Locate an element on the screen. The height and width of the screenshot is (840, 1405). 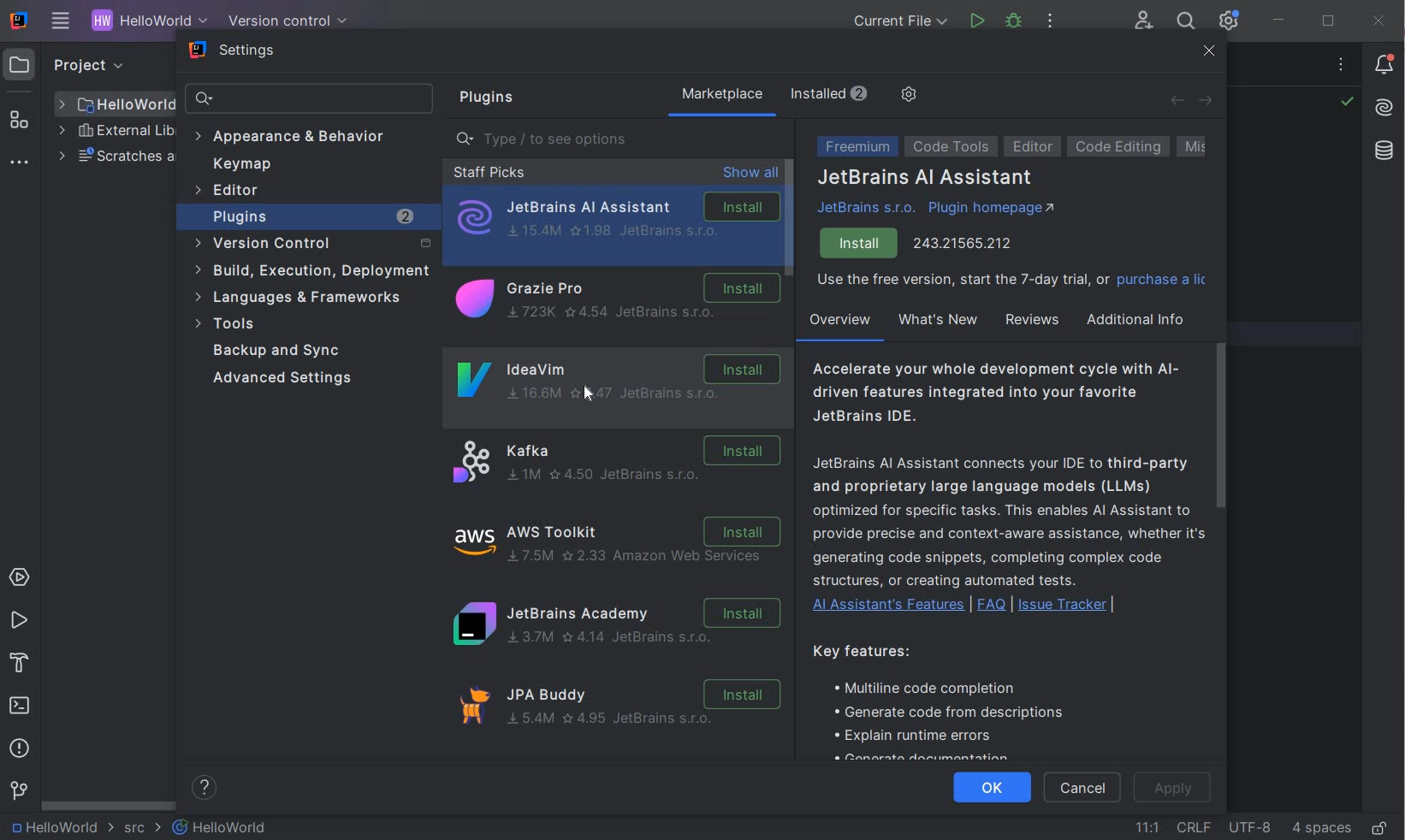
FILE NAME is located at coordinates (221, 827).